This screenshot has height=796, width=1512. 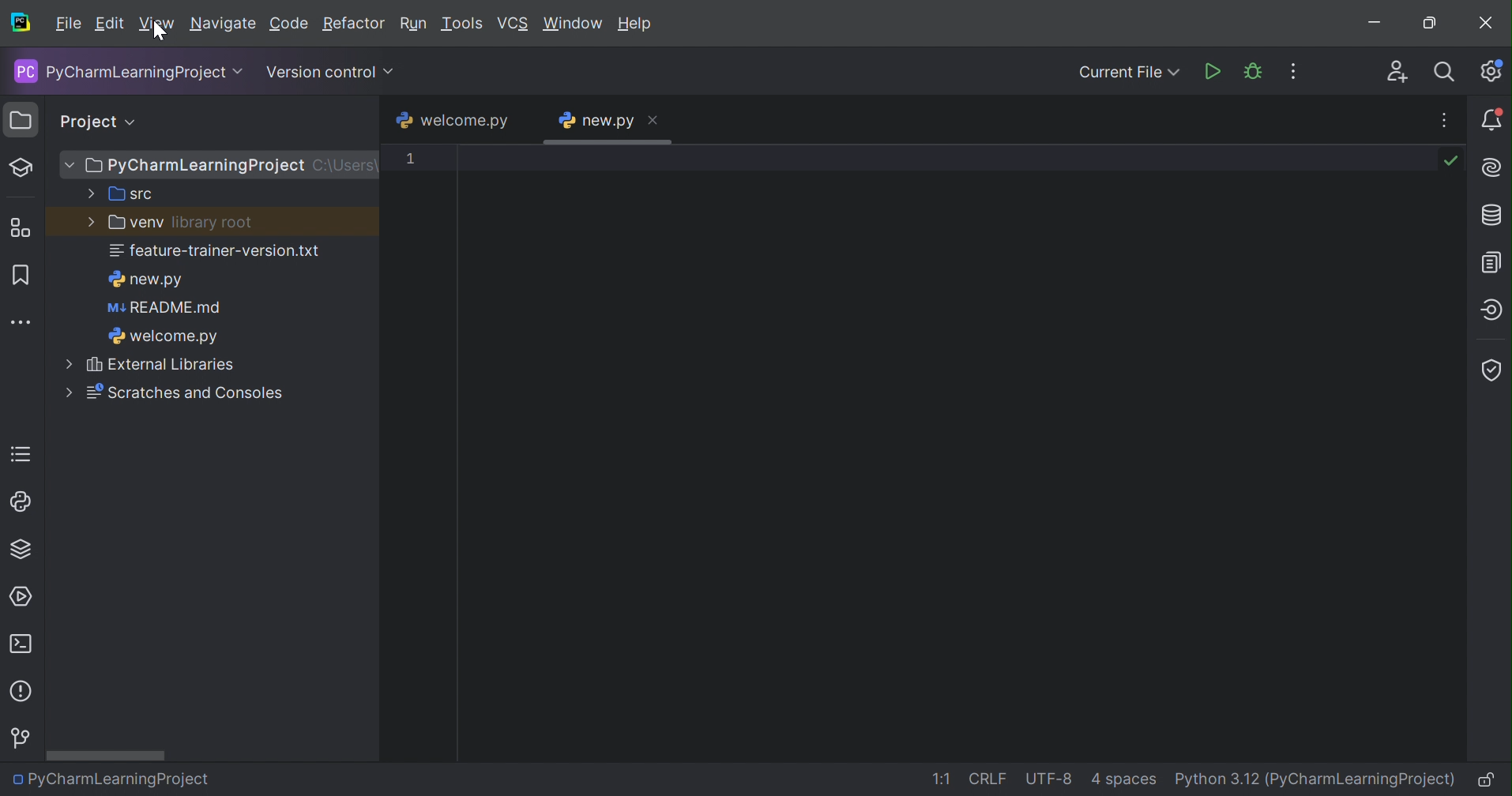 I want to click on VCS, so click(x=515, y=24).